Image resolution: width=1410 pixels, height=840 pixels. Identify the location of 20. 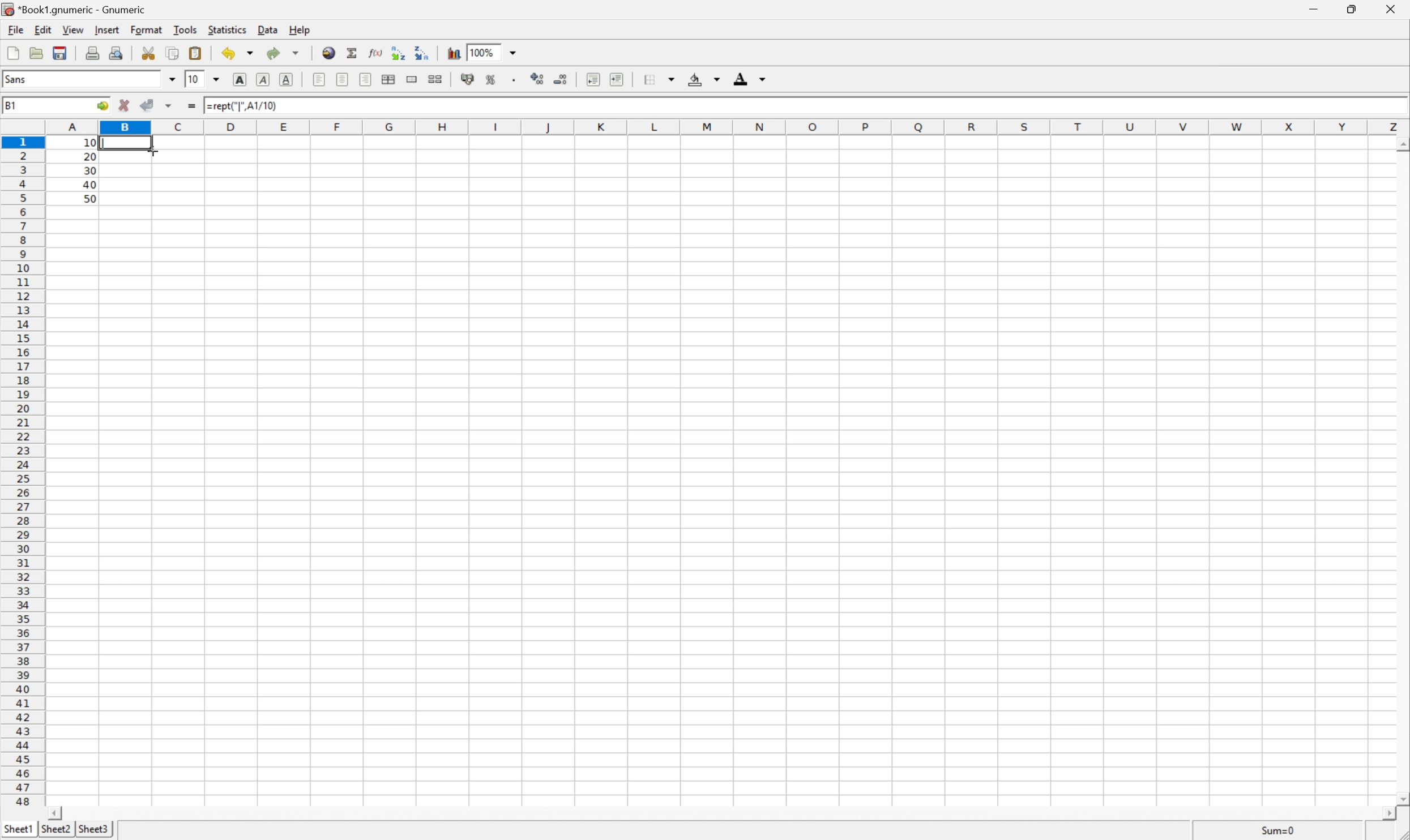
(89, 156).